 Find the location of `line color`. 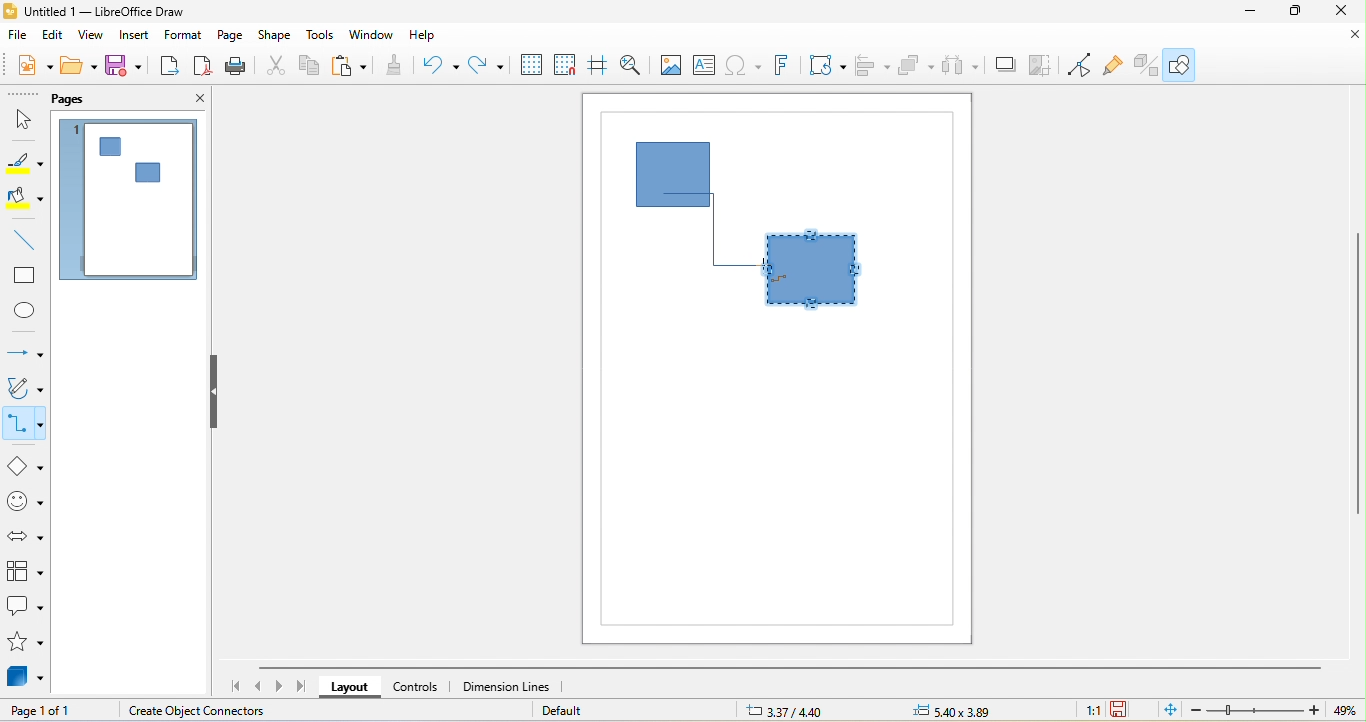

line color is located at coordinates (25, 162).